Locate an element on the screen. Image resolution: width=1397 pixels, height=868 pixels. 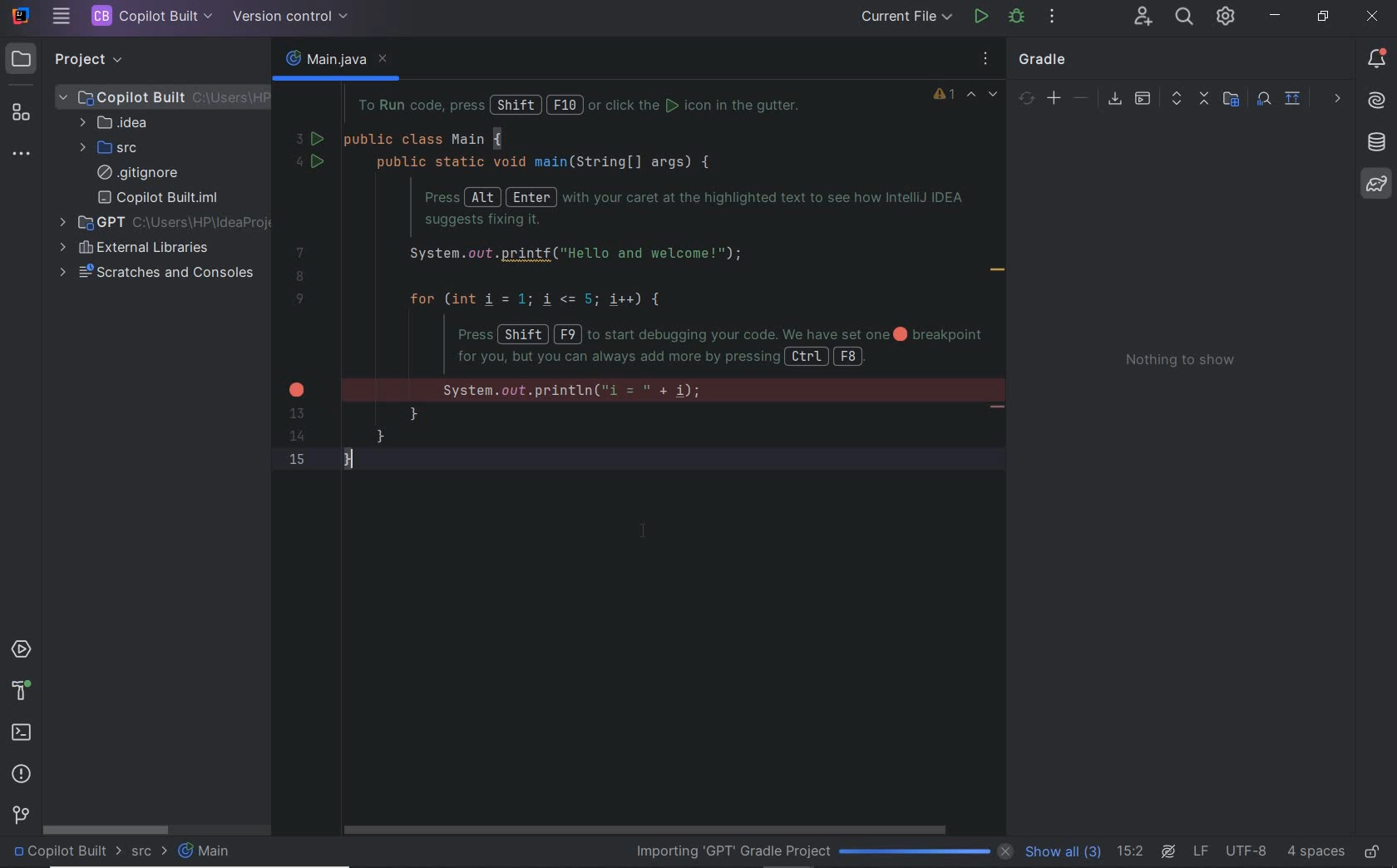
scrollbar is located at coordinates (105, 828).